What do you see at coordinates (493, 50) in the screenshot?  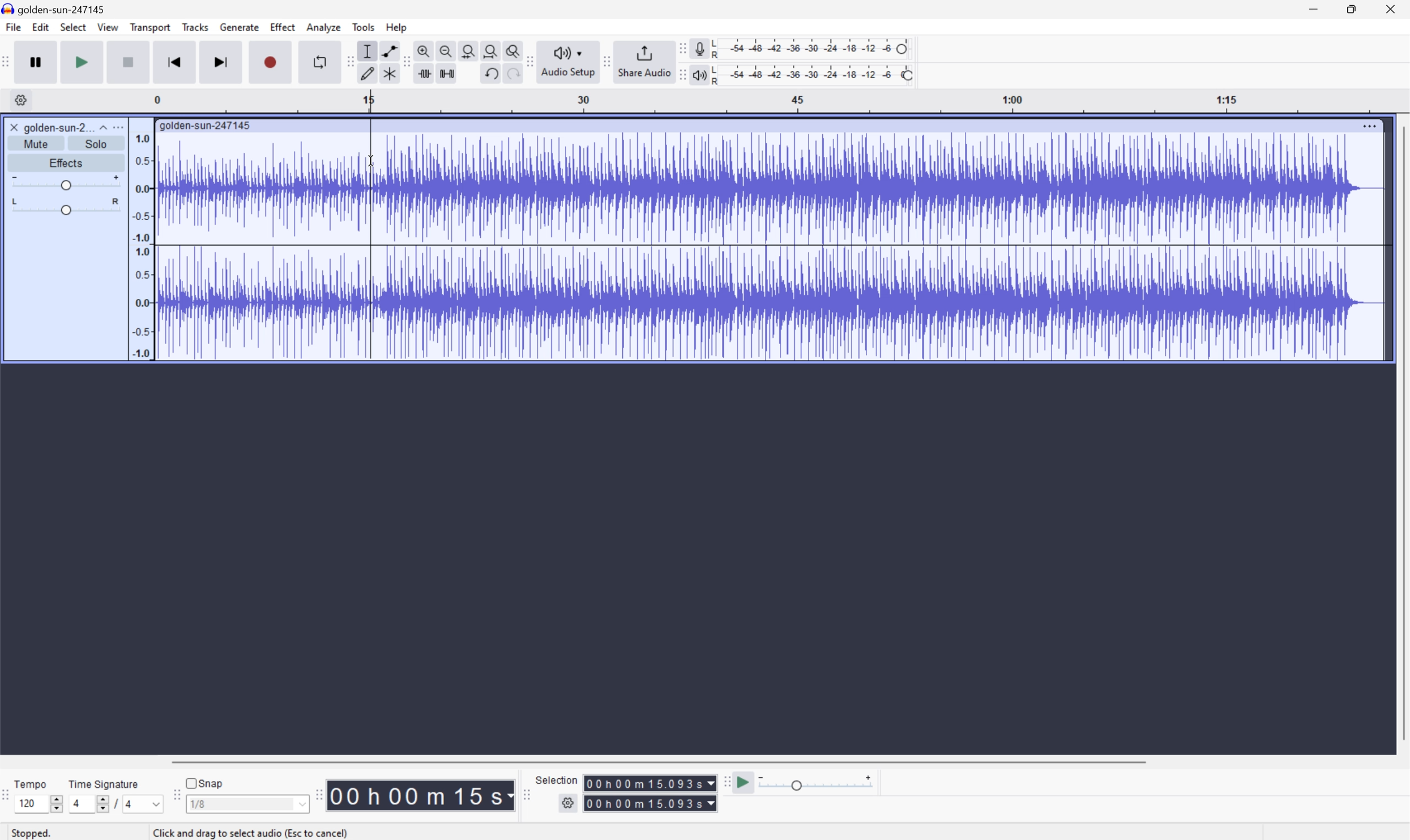 I see `Fit project to width` at bounding box center [493, 50].